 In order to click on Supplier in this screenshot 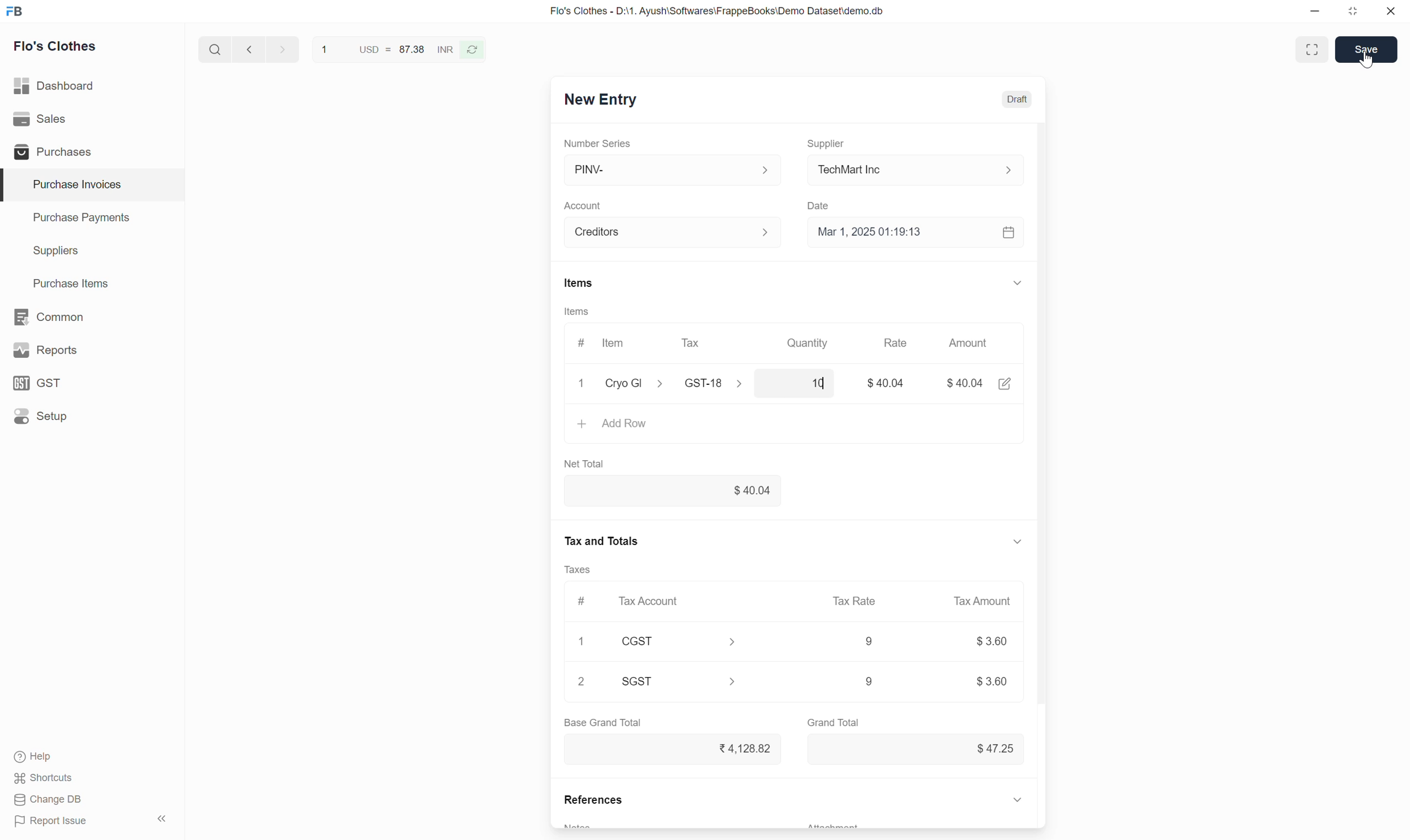, I will do `click(831, 139)`.